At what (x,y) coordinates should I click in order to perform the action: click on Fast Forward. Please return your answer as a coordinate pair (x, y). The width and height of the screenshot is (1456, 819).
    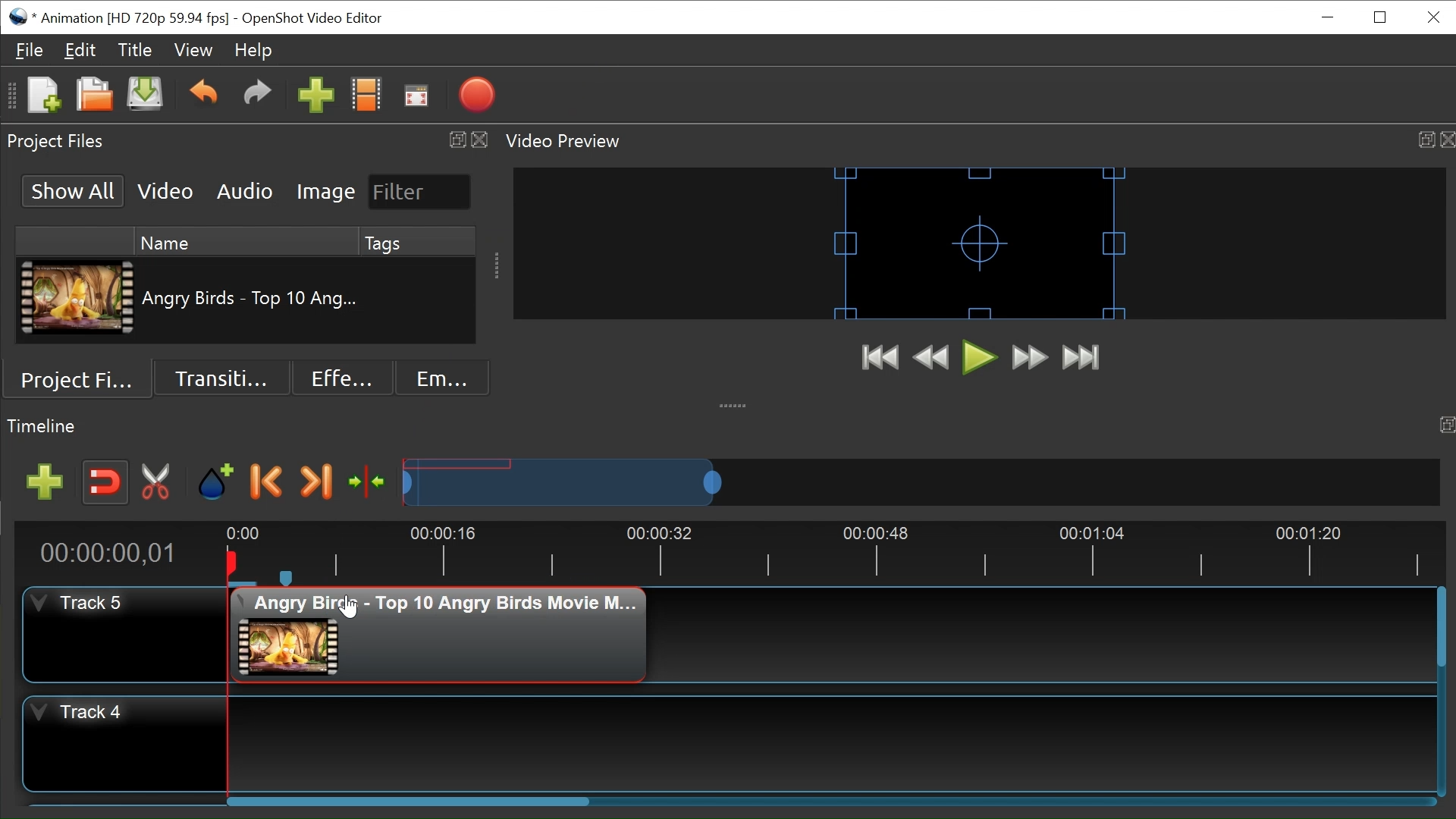
    Looking at the image, I should click on (1029, 357).